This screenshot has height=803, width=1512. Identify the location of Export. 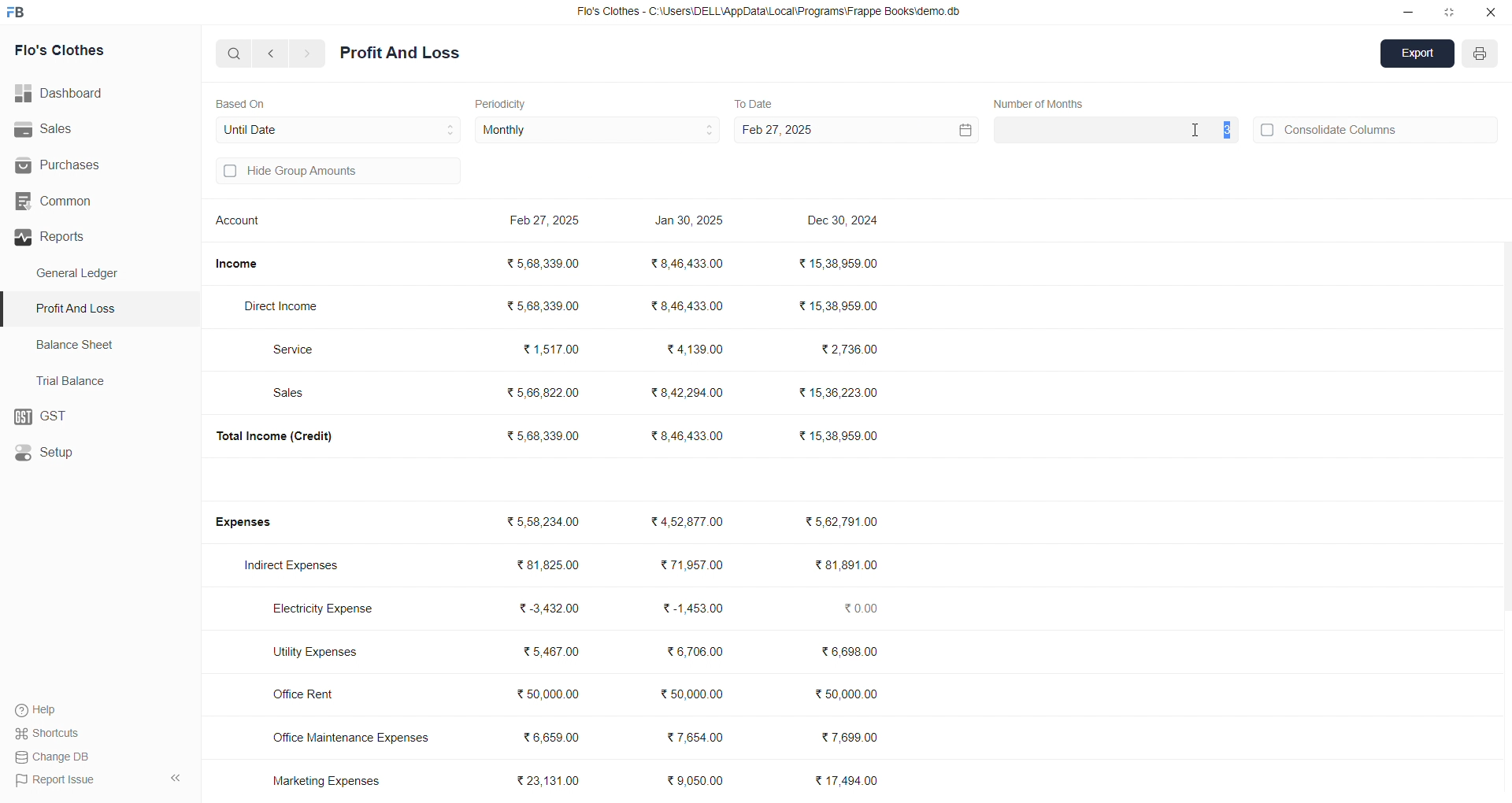
(1418, 55).